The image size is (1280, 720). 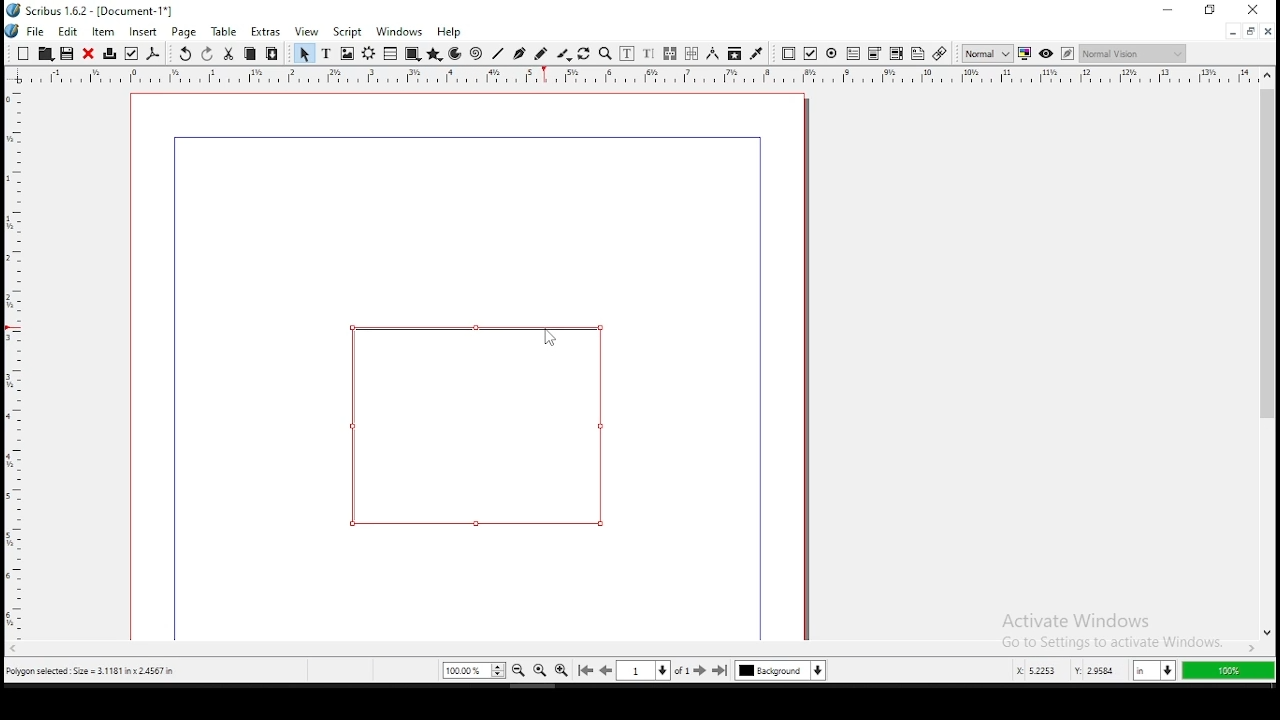 What do you see at coordinates (1269, 32) in the screenshot?
I see `close` at bounding box center [1269, 32].